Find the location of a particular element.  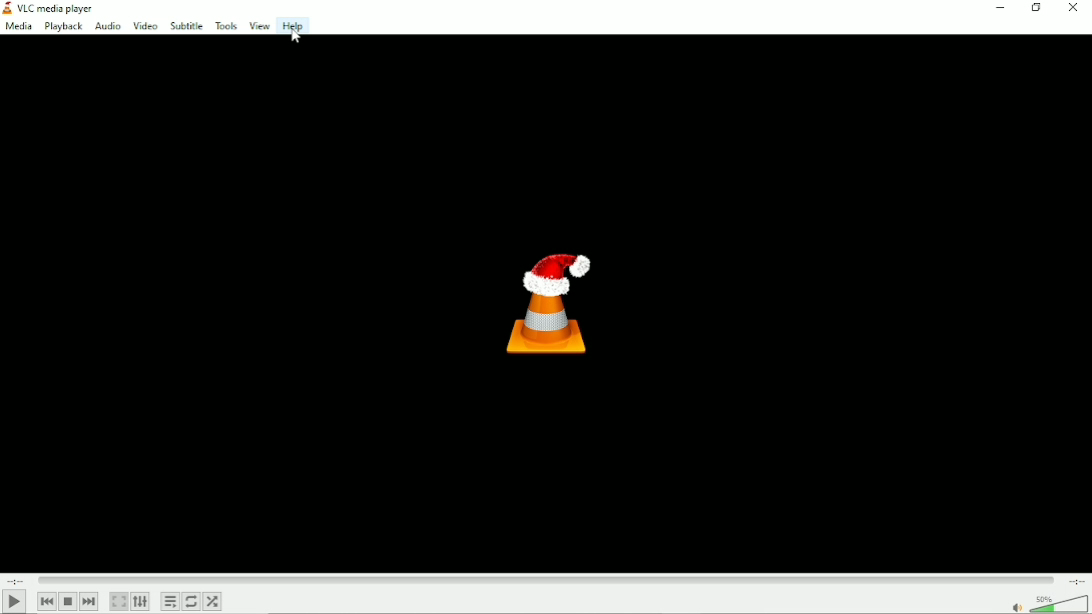

Next is located at coordinates (89, 601).